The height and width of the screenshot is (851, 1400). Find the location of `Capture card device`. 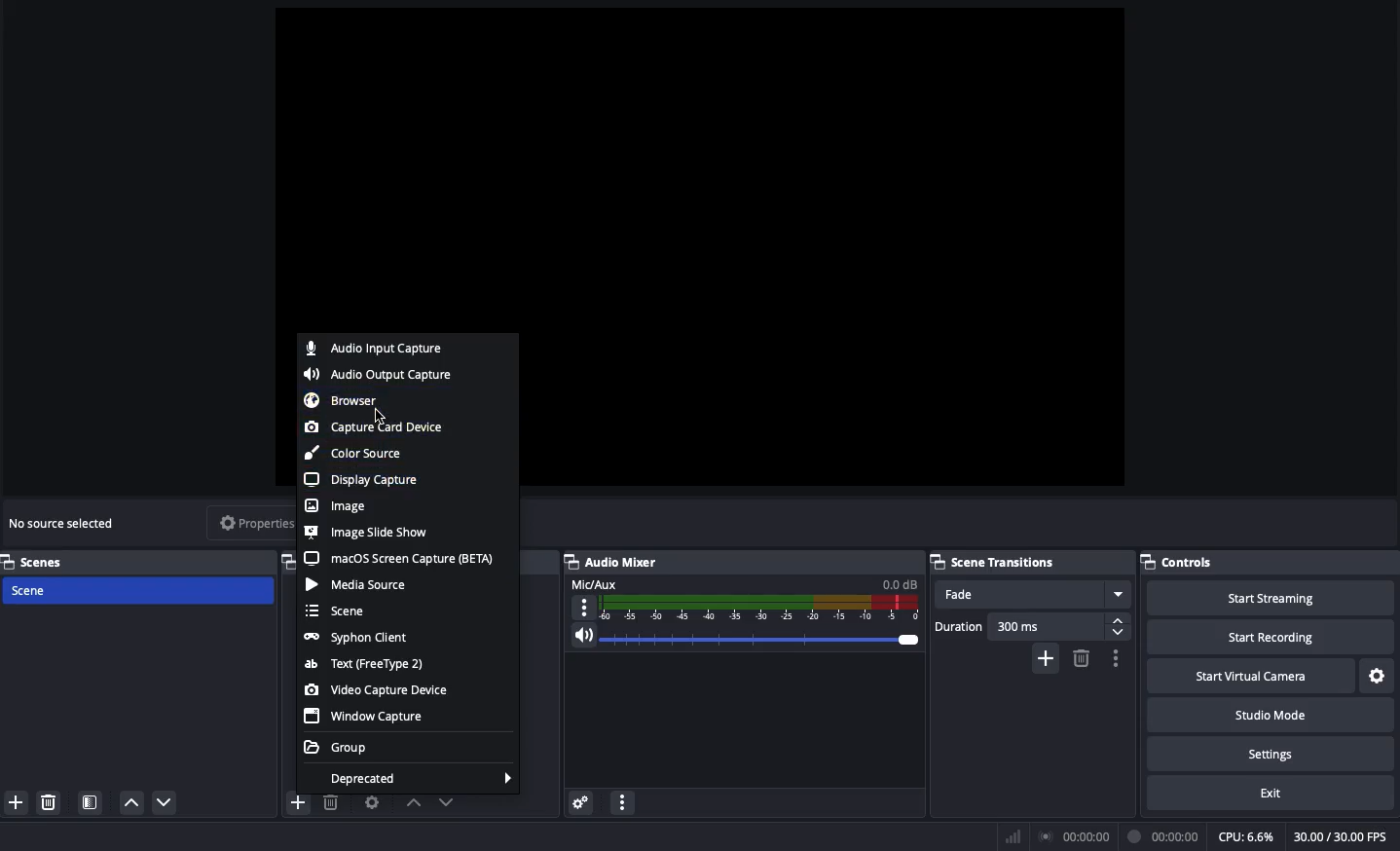

Capture card device is located at coordinates (374, 426).